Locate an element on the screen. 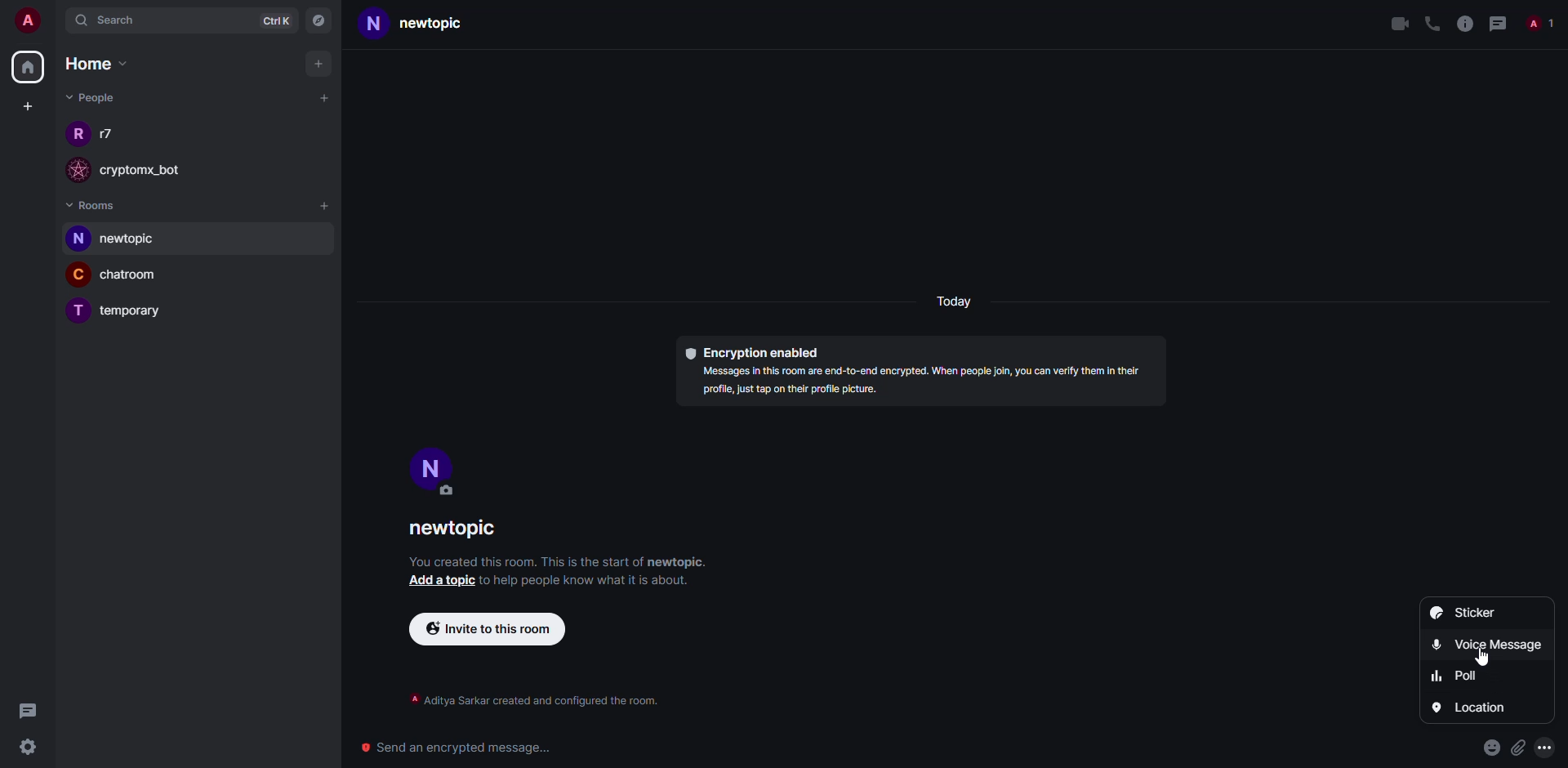  info is located at coordinates (1464, 23).